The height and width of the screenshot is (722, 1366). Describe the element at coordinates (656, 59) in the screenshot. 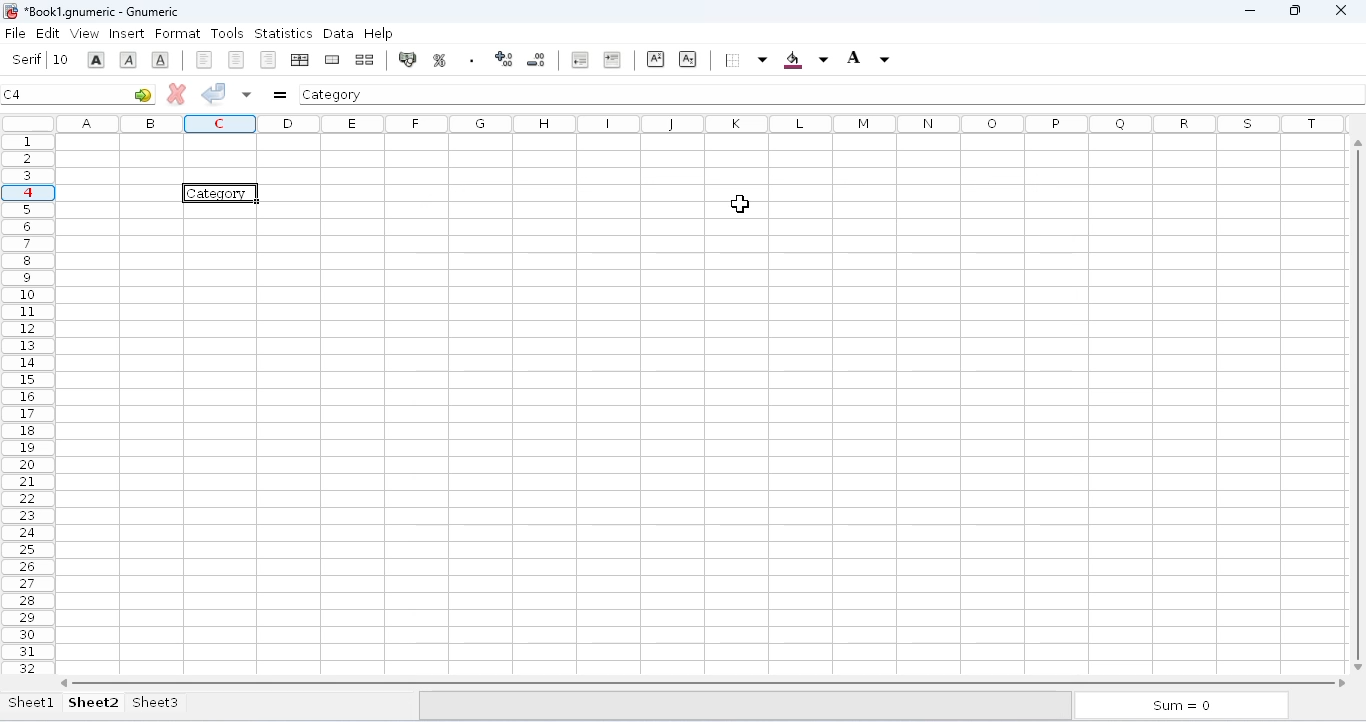

I see `increase the indent` at that location.